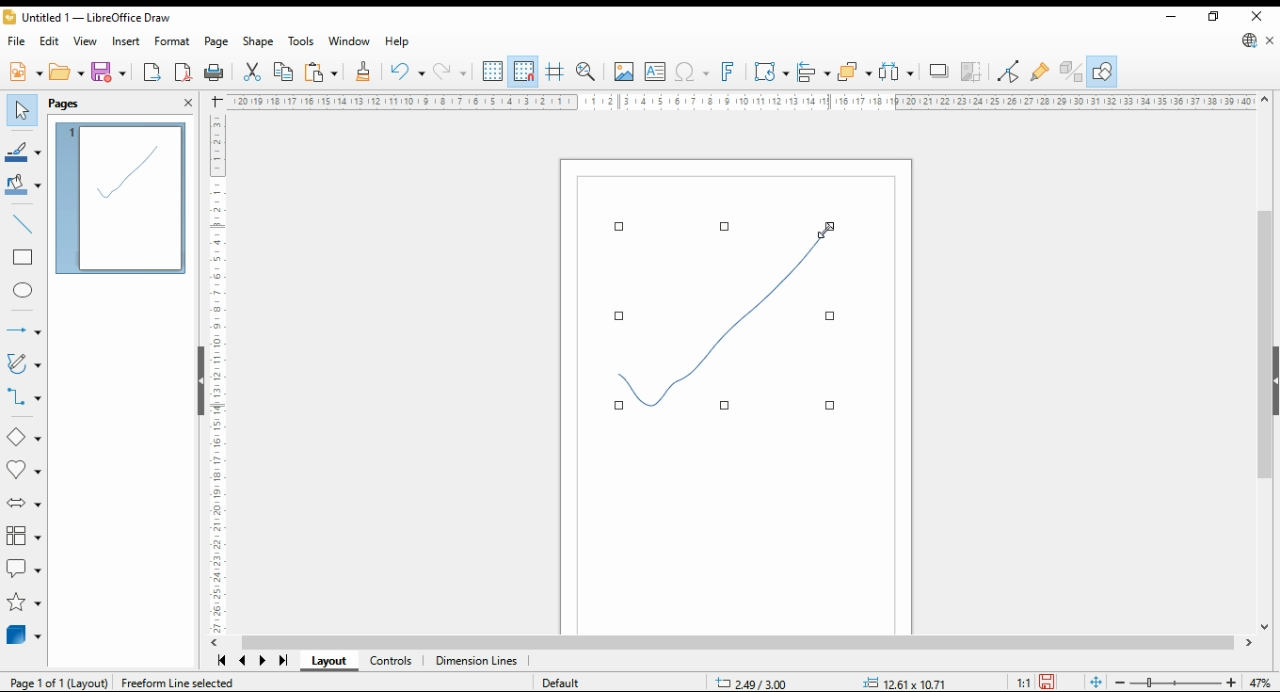 The image size is (1280, 692). What do you see at coordinates (741, 643) in the screenshot?
I see `scroll bar` at bounding box center [741, 643].